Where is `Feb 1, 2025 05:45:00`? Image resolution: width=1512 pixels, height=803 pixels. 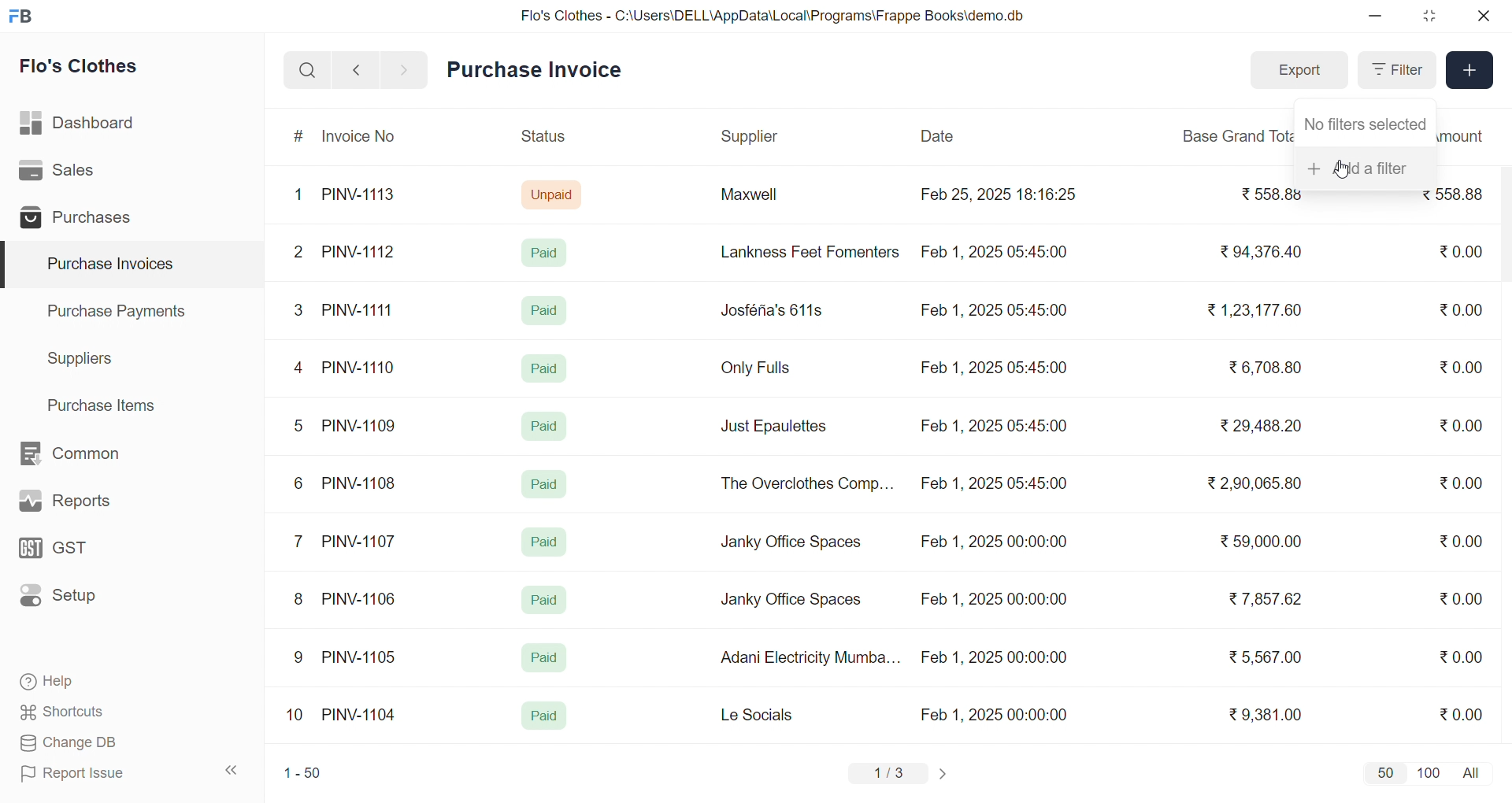
Feb 1, 2025 05:45:00 is located at coordinates (993, 426).